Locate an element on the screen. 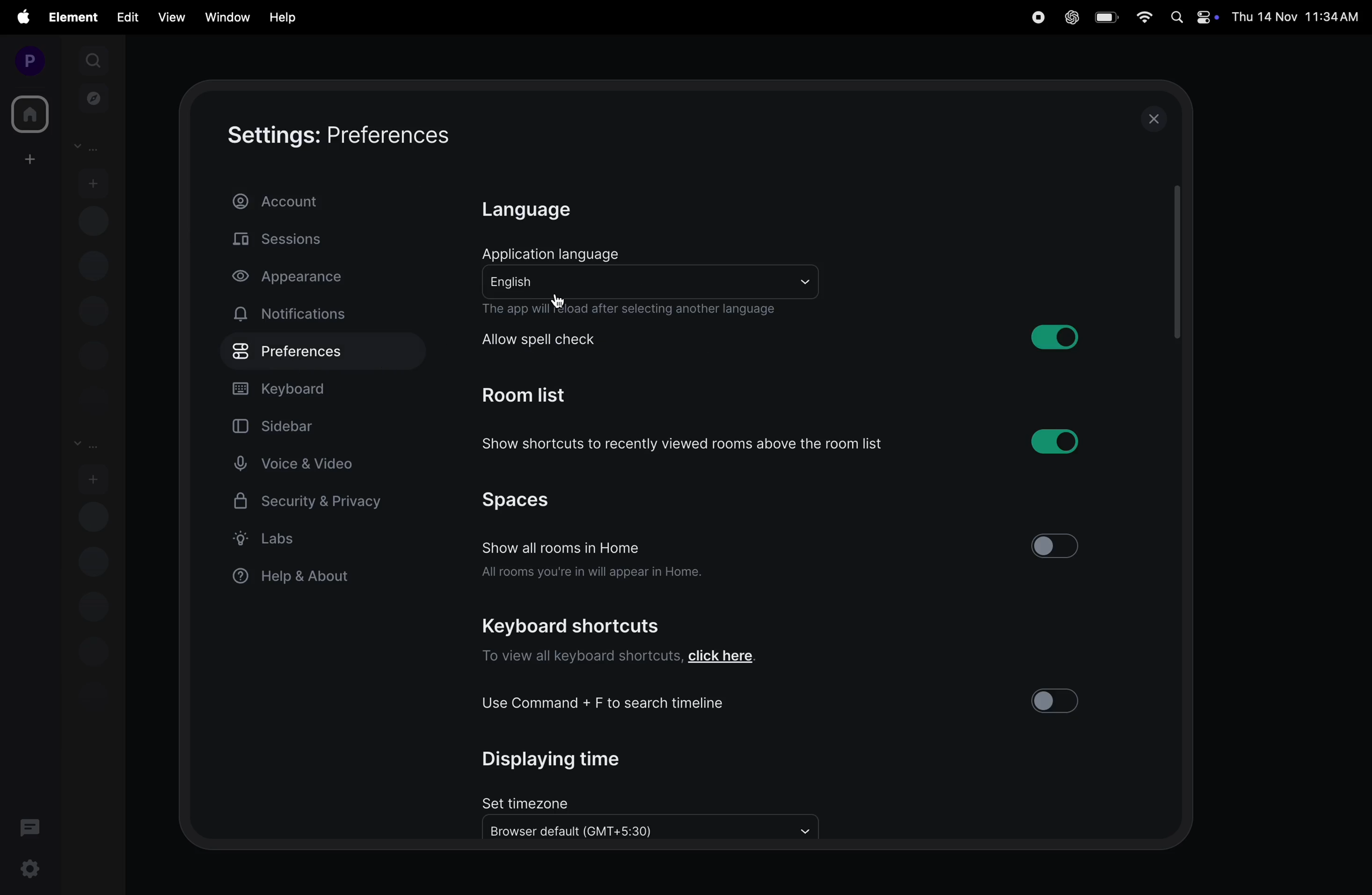  link is located at coordinates (730, 657).